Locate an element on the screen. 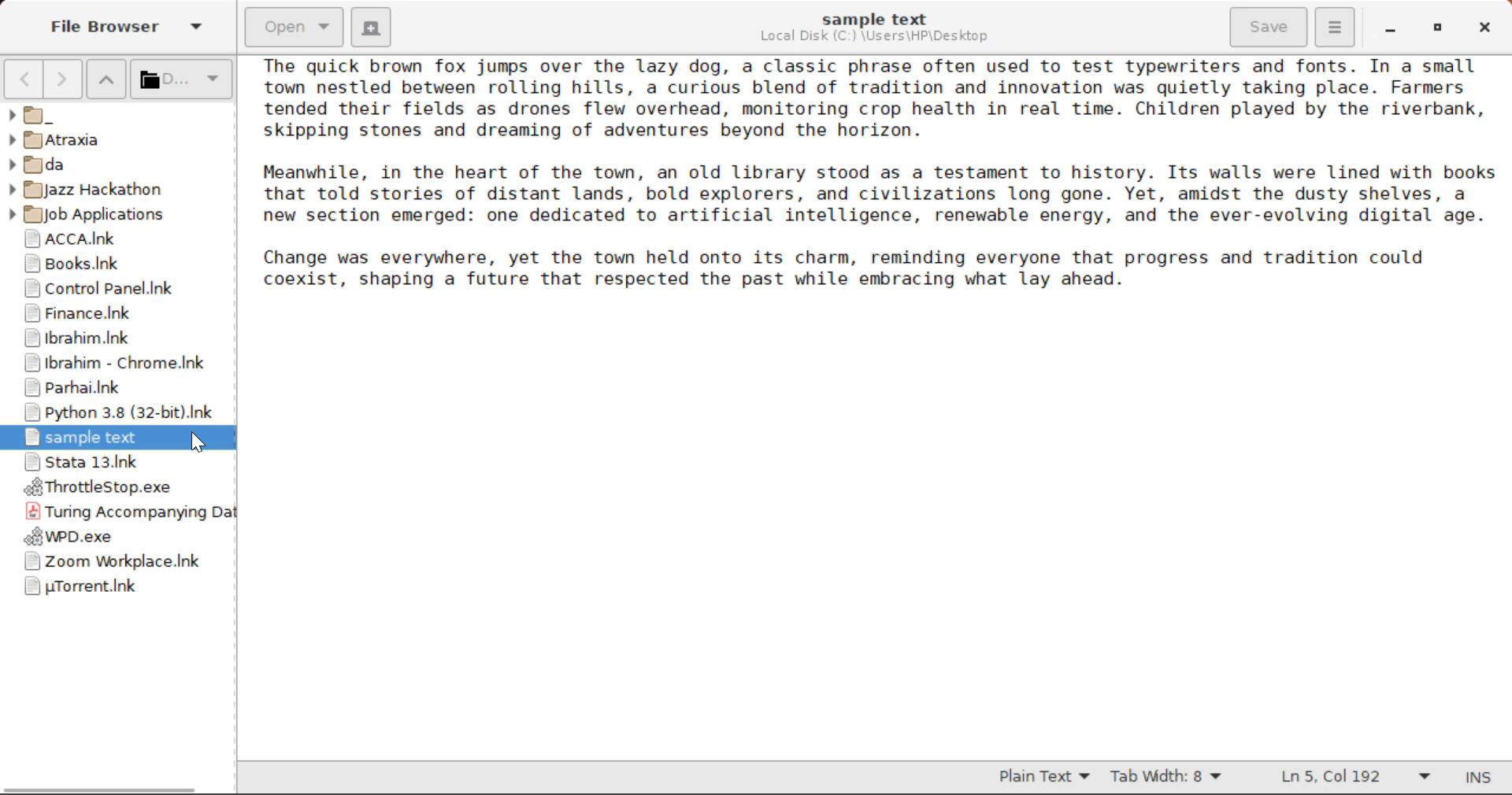  Finance Folder Shortcut Link is located at coordinates (114, 314).